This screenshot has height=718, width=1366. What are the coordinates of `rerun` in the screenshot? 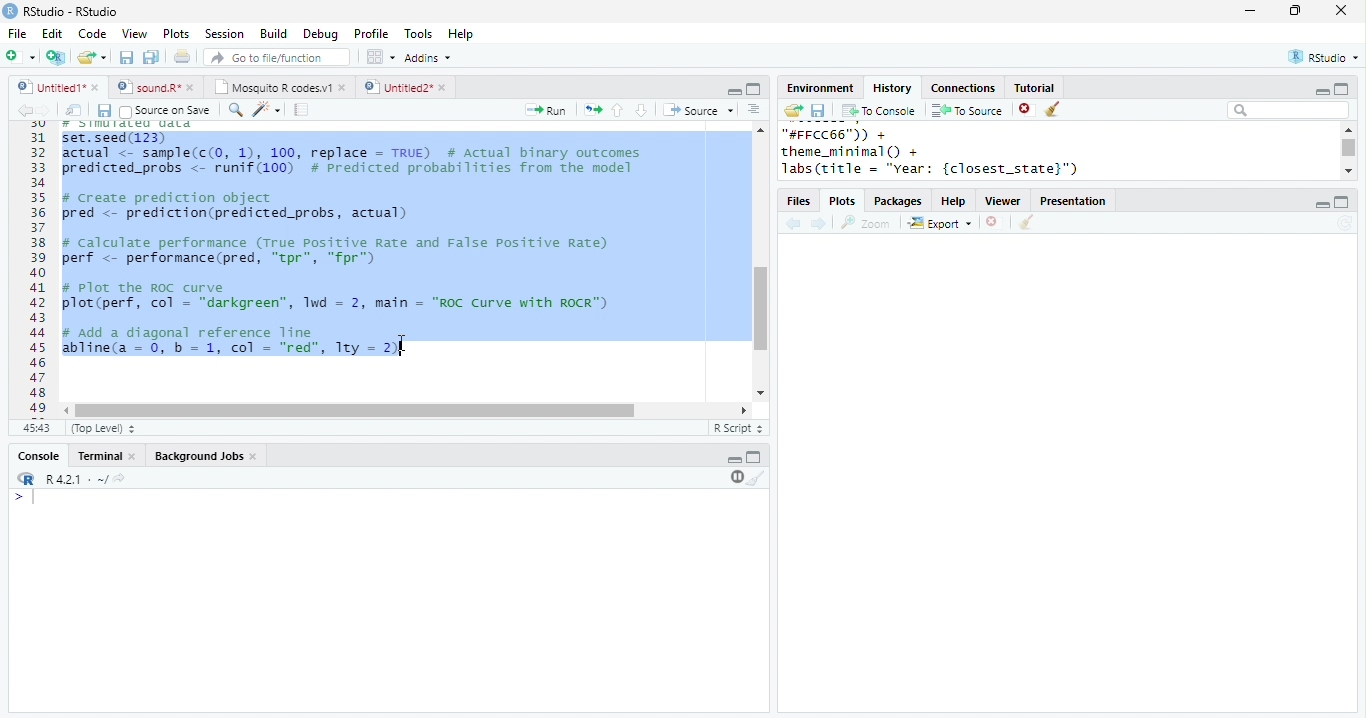 It's located at (593, 110).